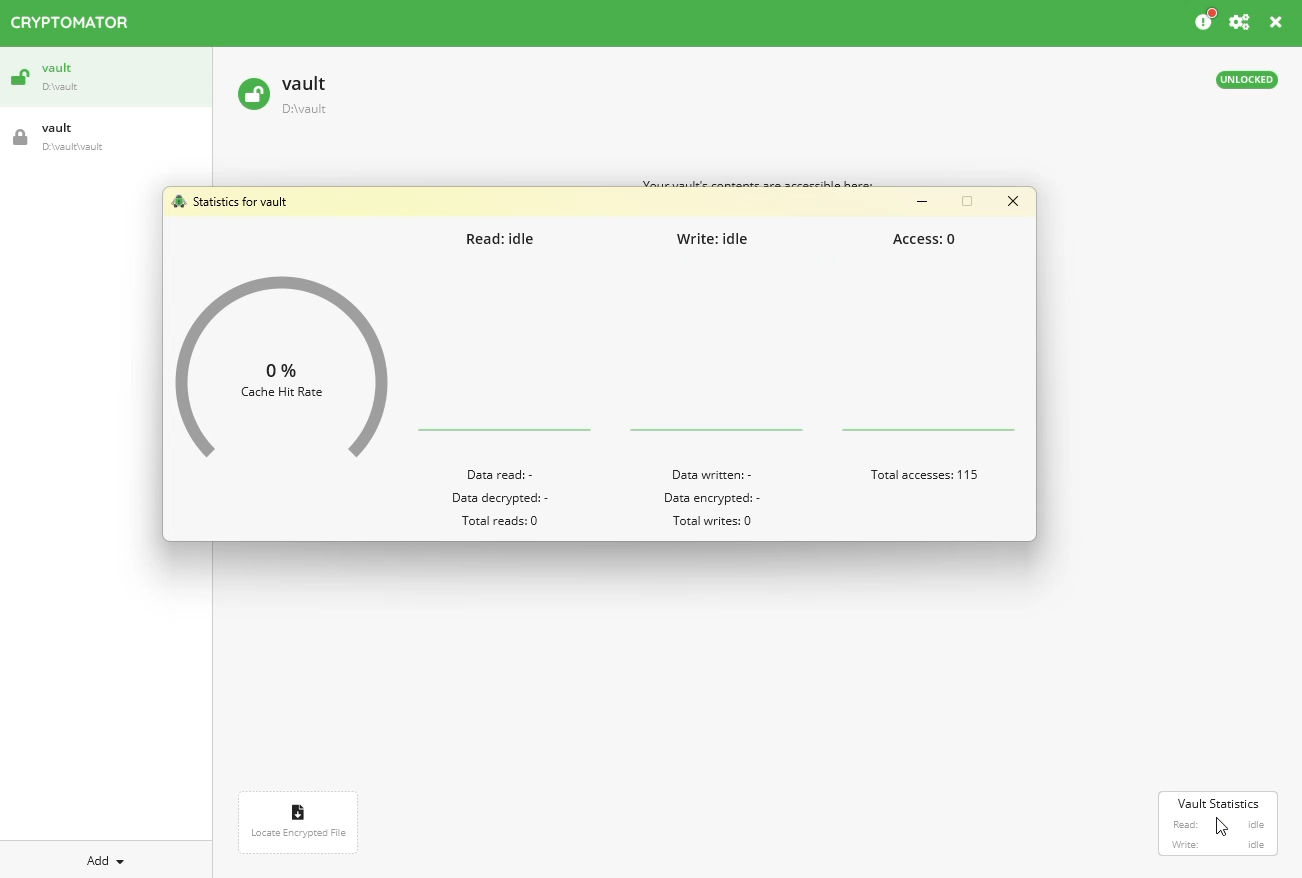 The height and width of the screenshot is (878, 1302). Describe the element at coordinates (108, 858) in the screenshot. I see `add` at that location.